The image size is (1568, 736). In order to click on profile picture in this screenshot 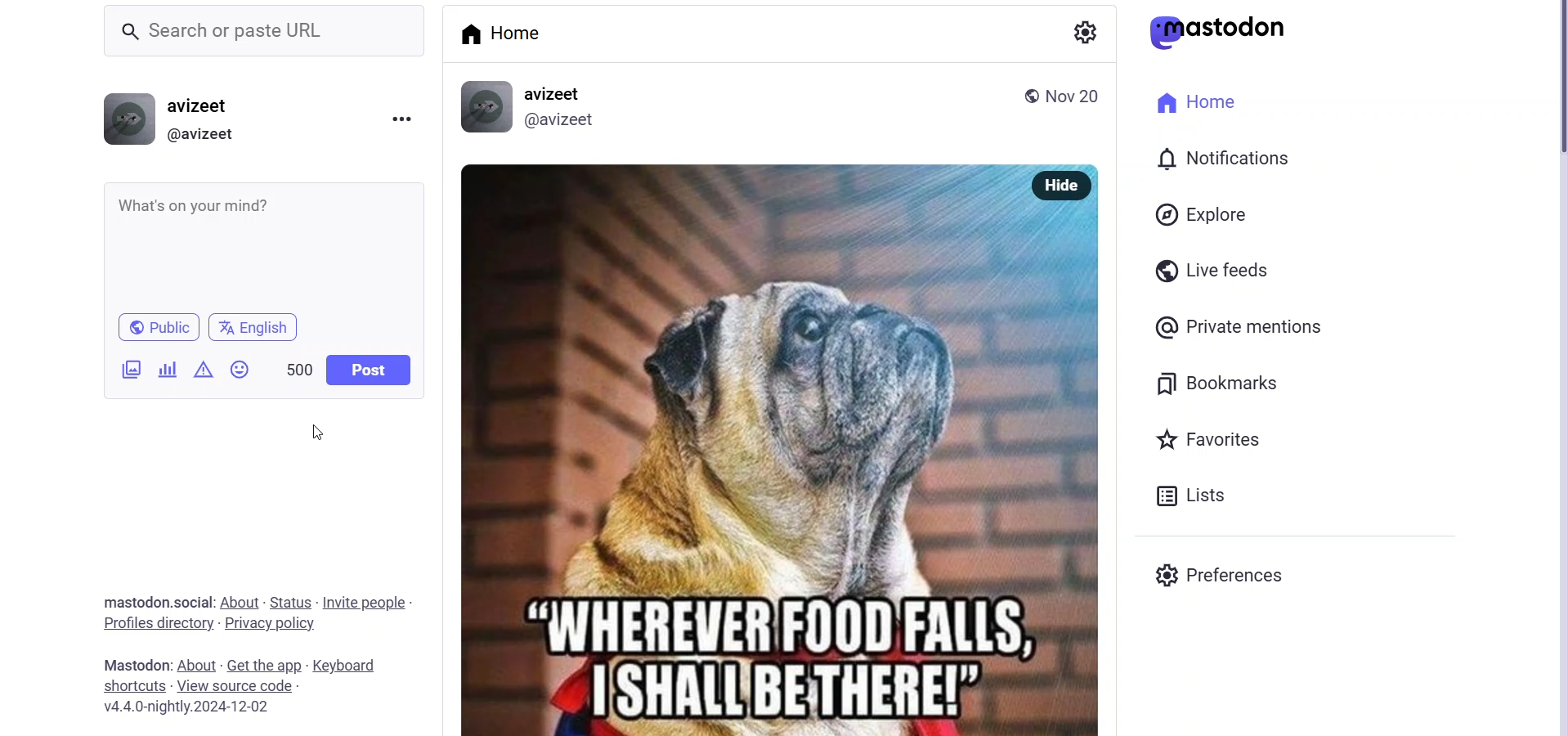, I will do `click(128, 120)`.